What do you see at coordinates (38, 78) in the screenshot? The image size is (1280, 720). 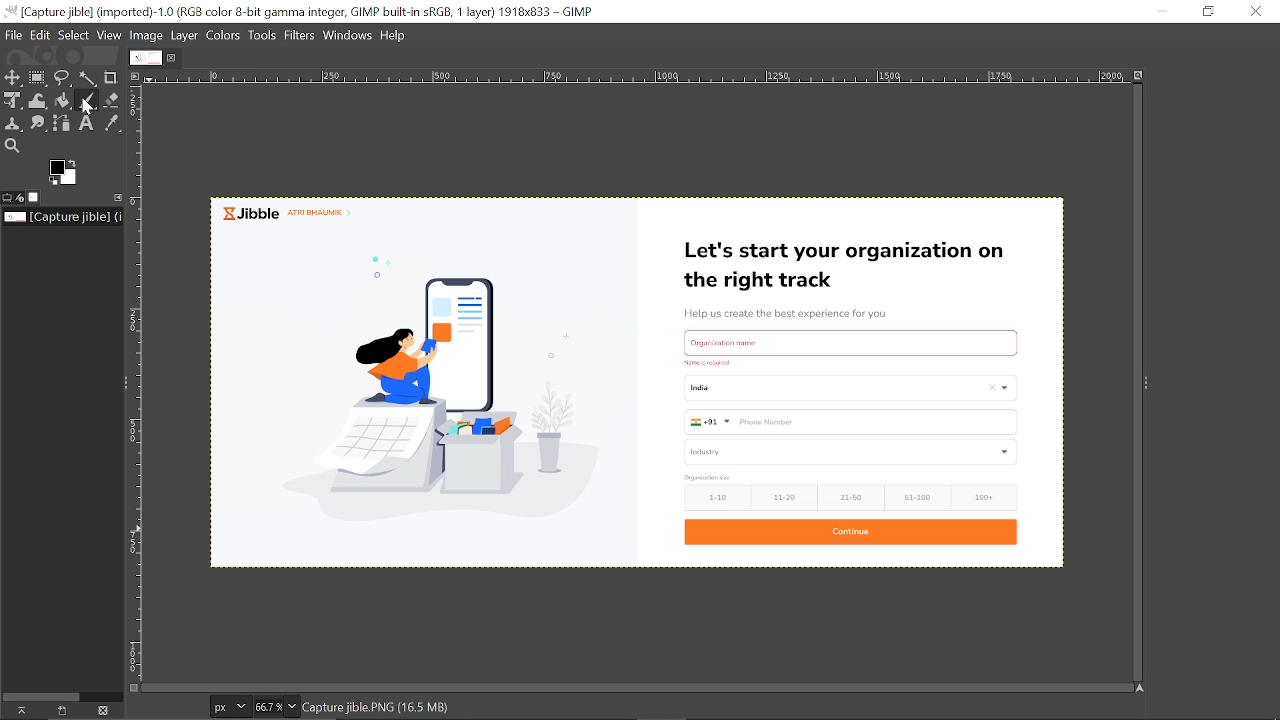 I see `Rectangular select tool` at bounding box center [38, 78].